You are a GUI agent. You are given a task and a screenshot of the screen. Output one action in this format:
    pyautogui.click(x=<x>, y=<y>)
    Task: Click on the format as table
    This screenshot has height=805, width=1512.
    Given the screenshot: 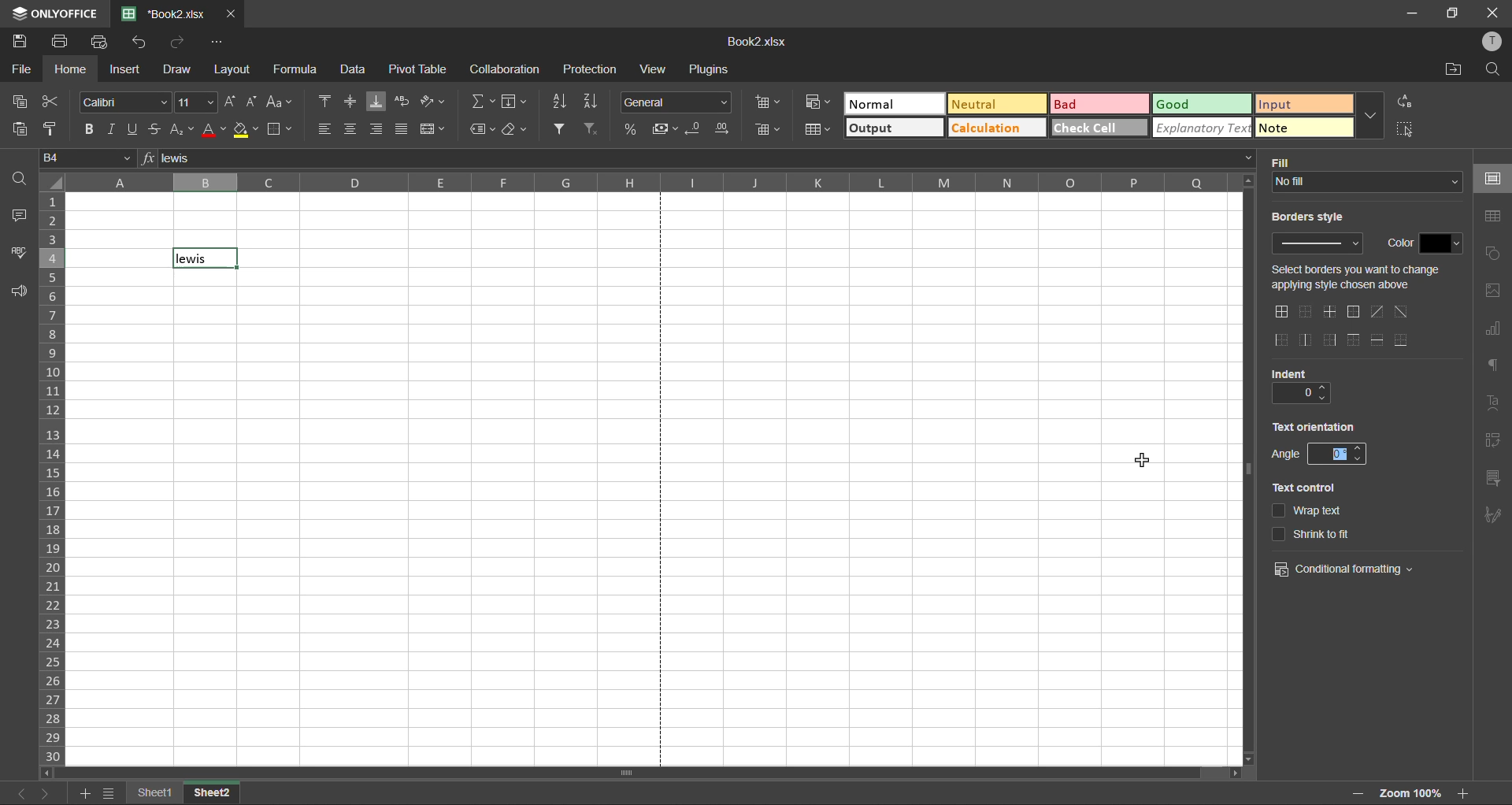 What is the action you would take?
    pyautogui.click(x=813, y=129)
    